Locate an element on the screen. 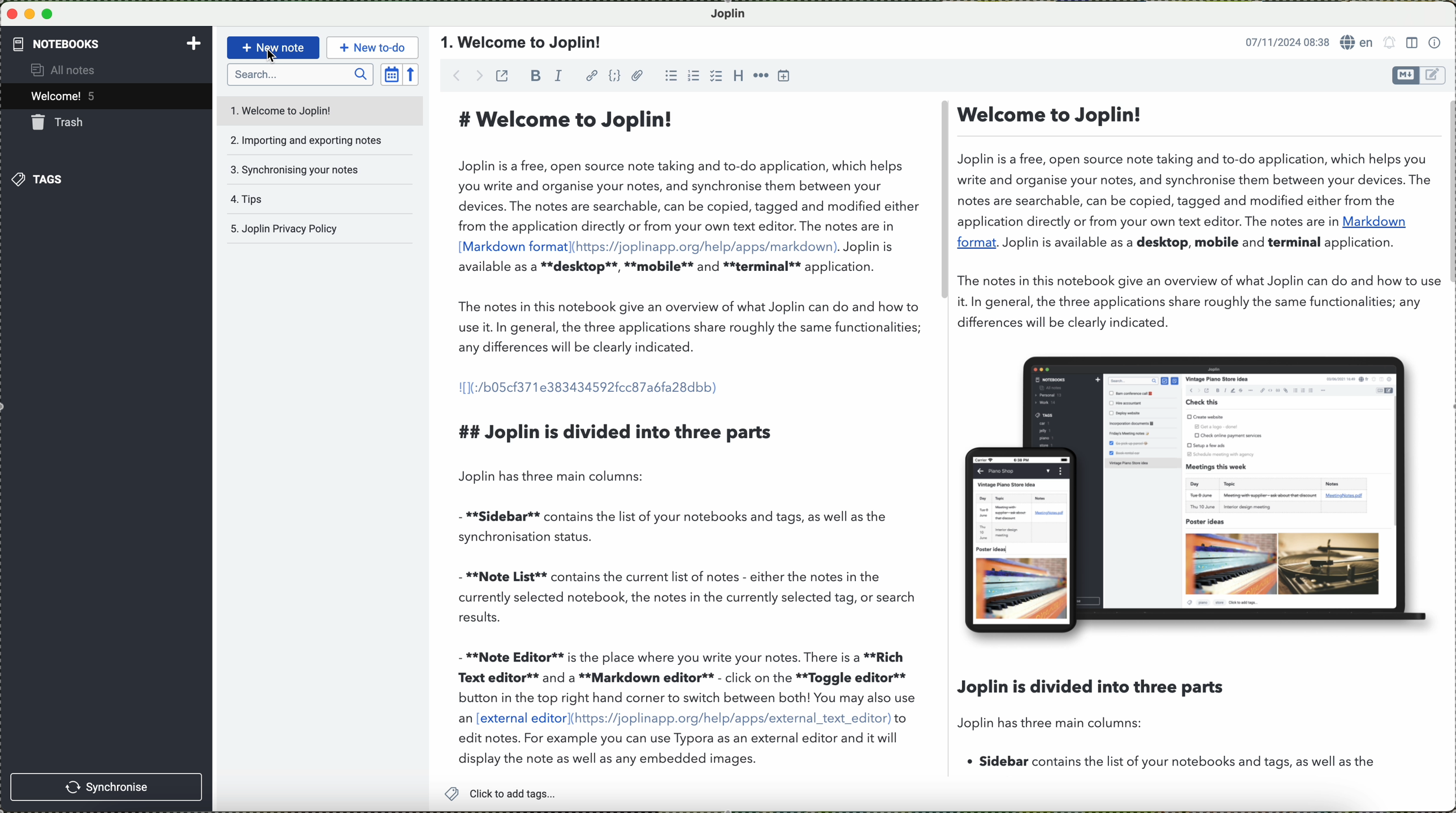 This screenshot has height=813, width=1456. Joplin privacy policy is located at coordinates (317, 229).